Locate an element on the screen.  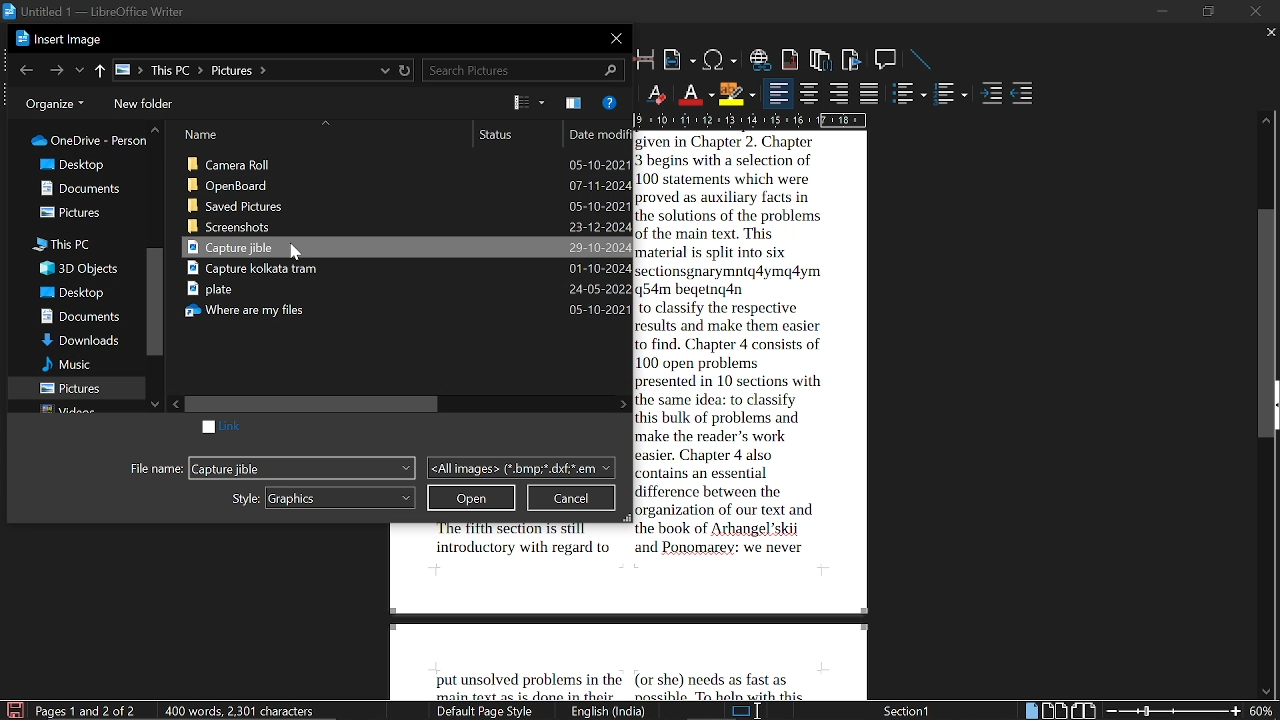
center is located at coordinates (809, 92).